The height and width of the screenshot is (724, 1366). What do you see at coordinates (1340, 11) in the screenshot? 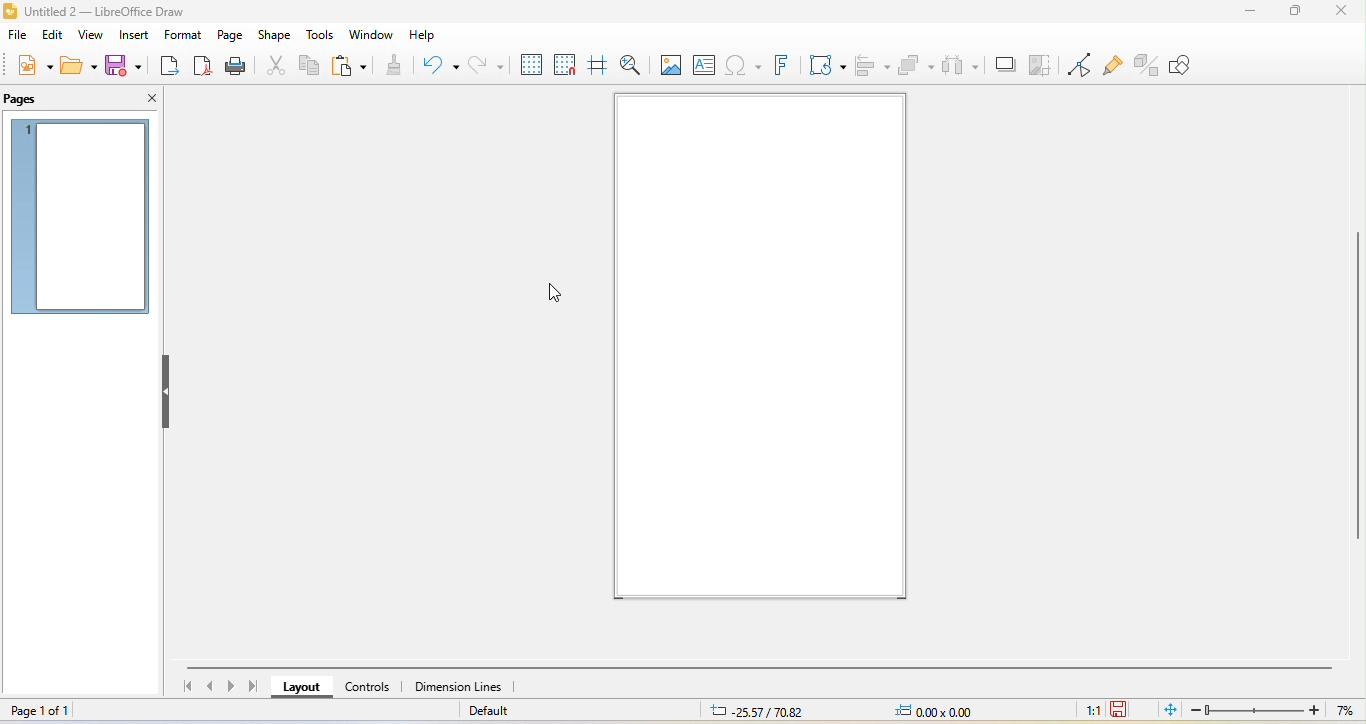
I see `close` at bounding box center [1340, 11].